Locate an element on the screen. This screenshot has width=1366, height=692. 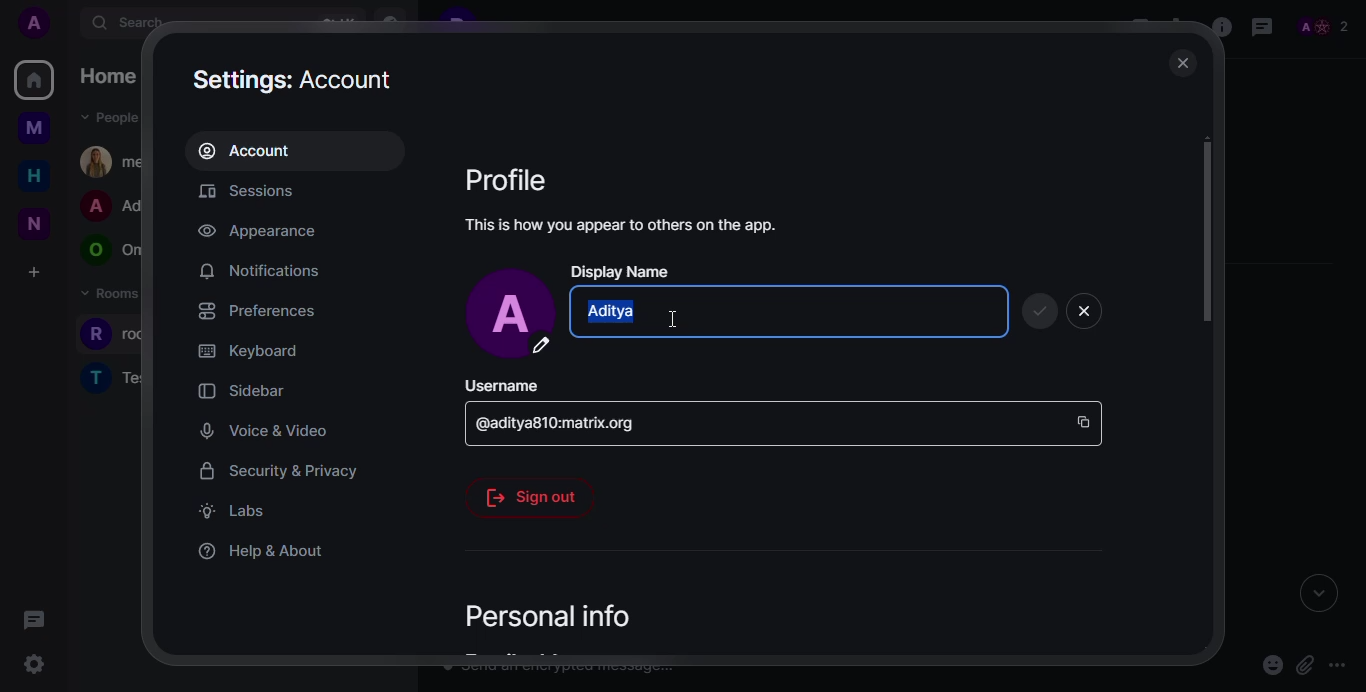
Display name space is located at coordinates (781, 311).